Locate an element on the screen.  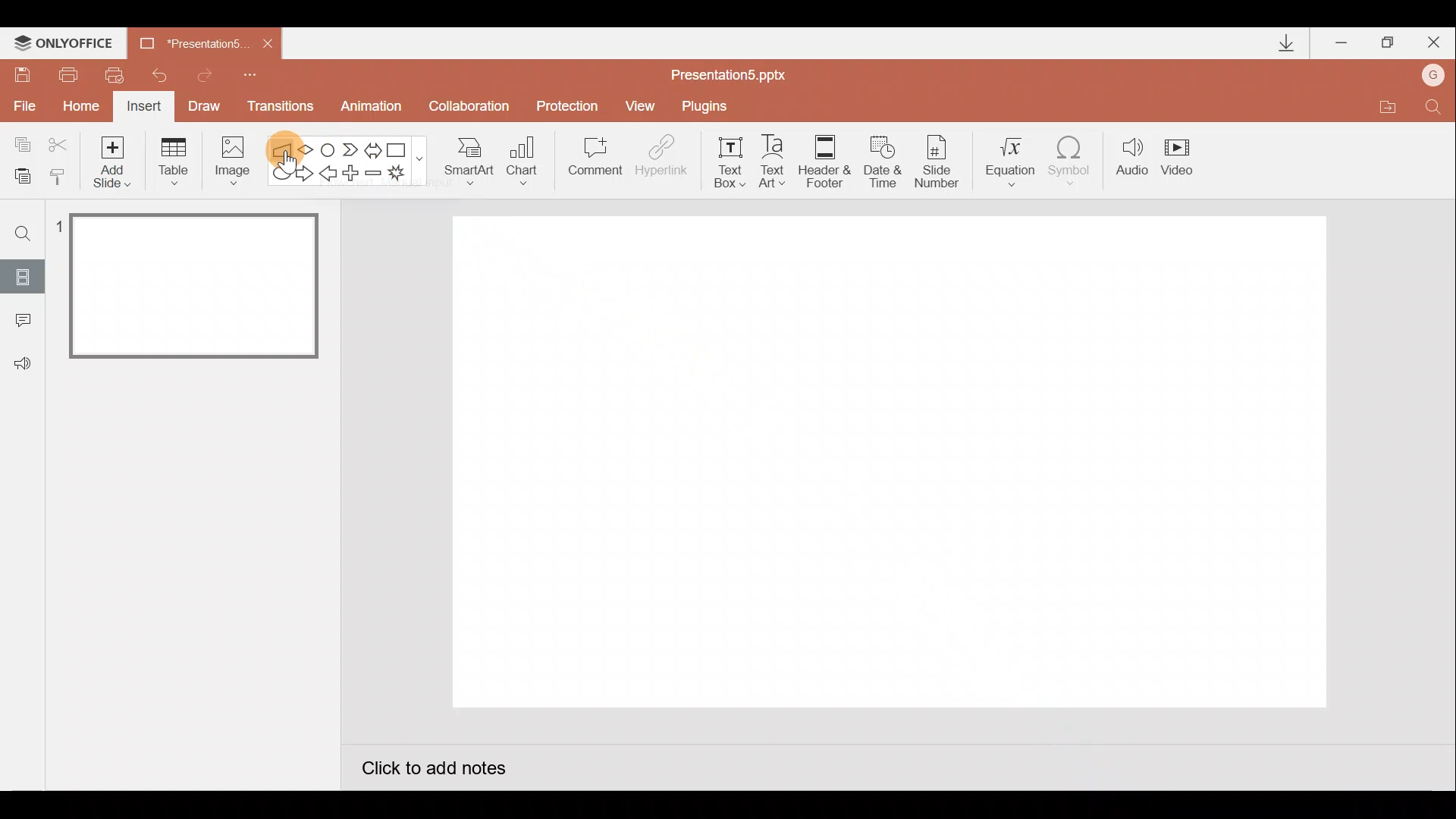
Hyperlink is located at coordinates (663, 161).